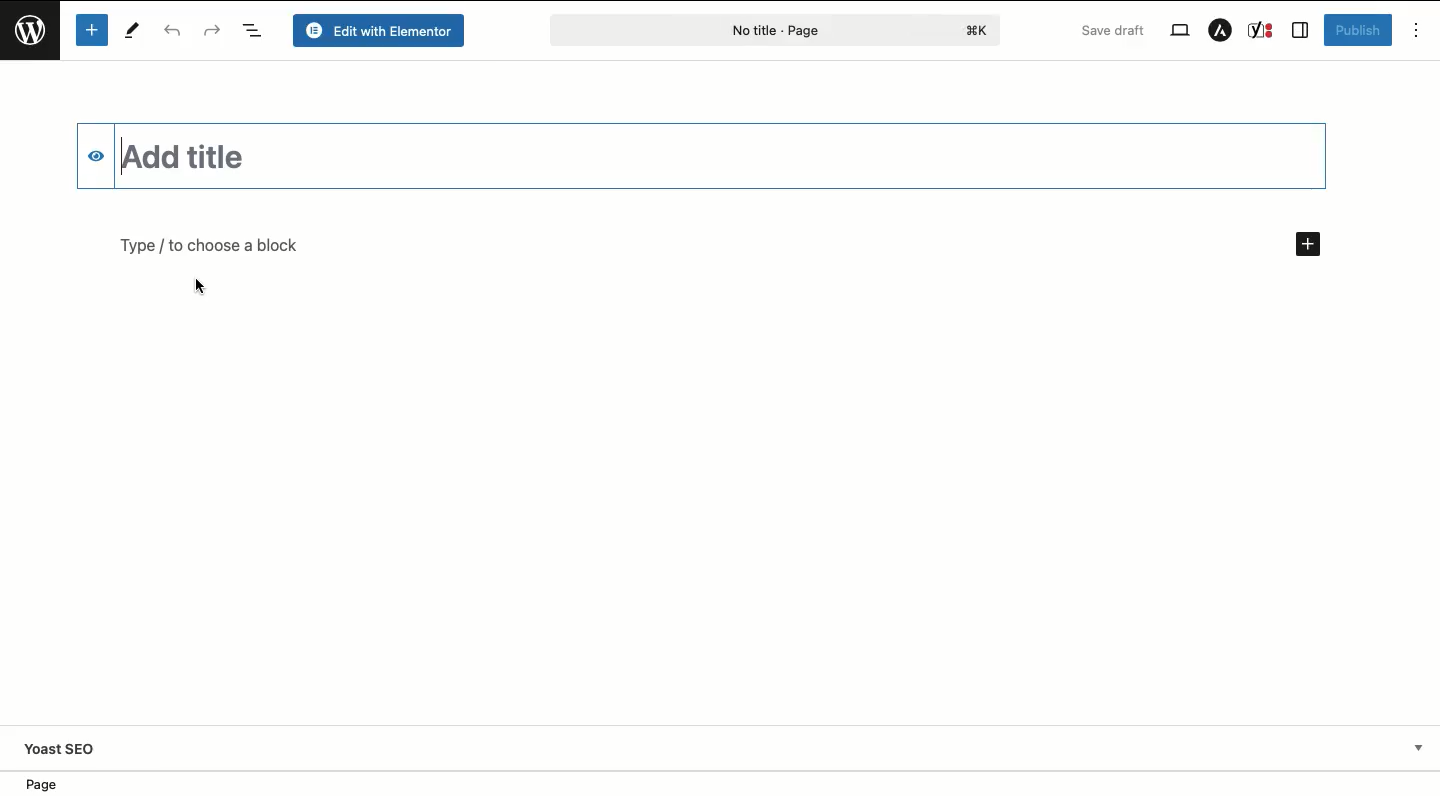 This screenshot has width=1440, height=796. Describe the element at coordinates (213, 157) in the screenshot. I see `Add title` at that location.